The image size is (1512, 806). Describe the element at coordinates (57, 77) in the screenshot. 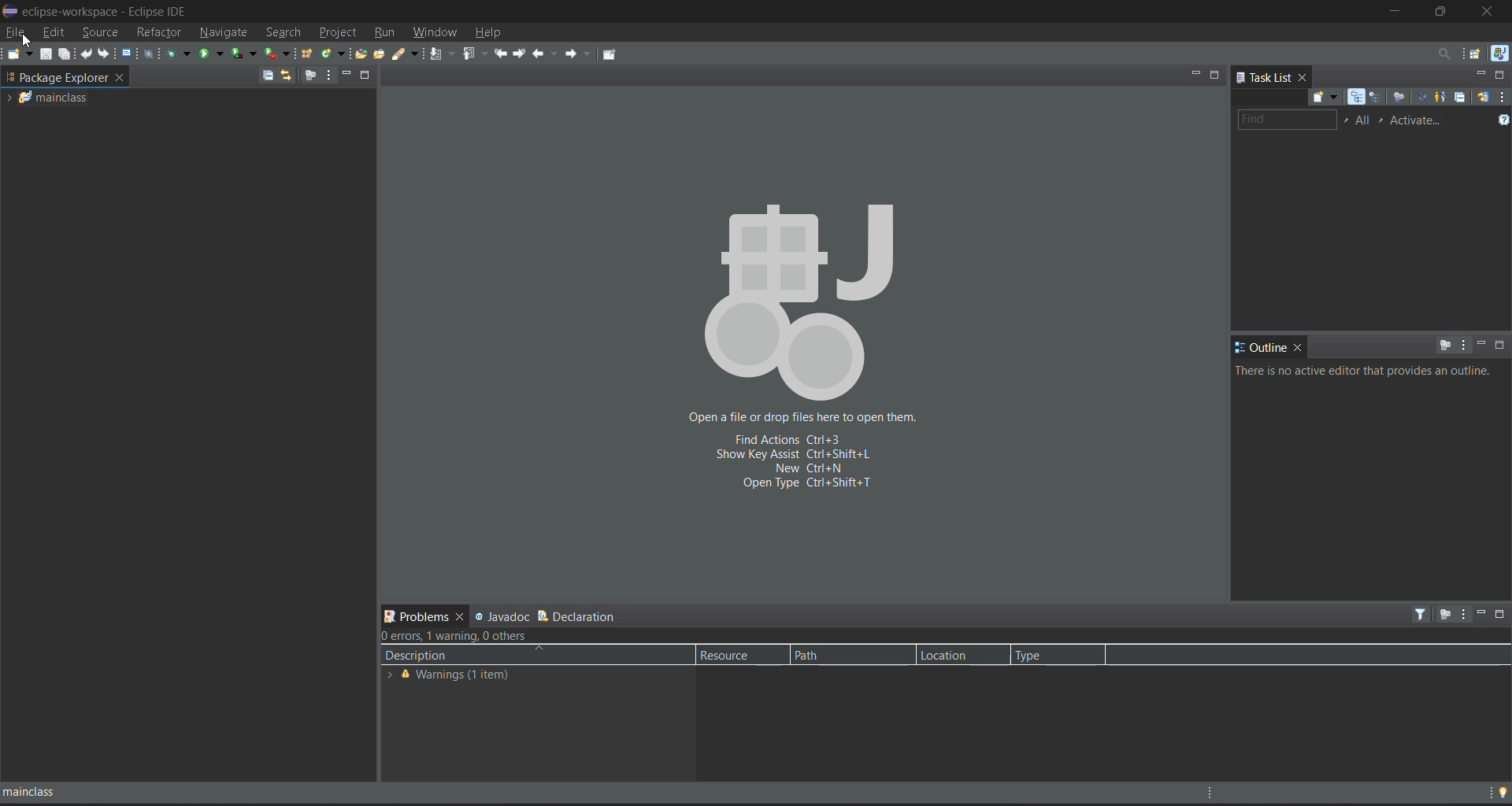

I see `workspace` at that location.